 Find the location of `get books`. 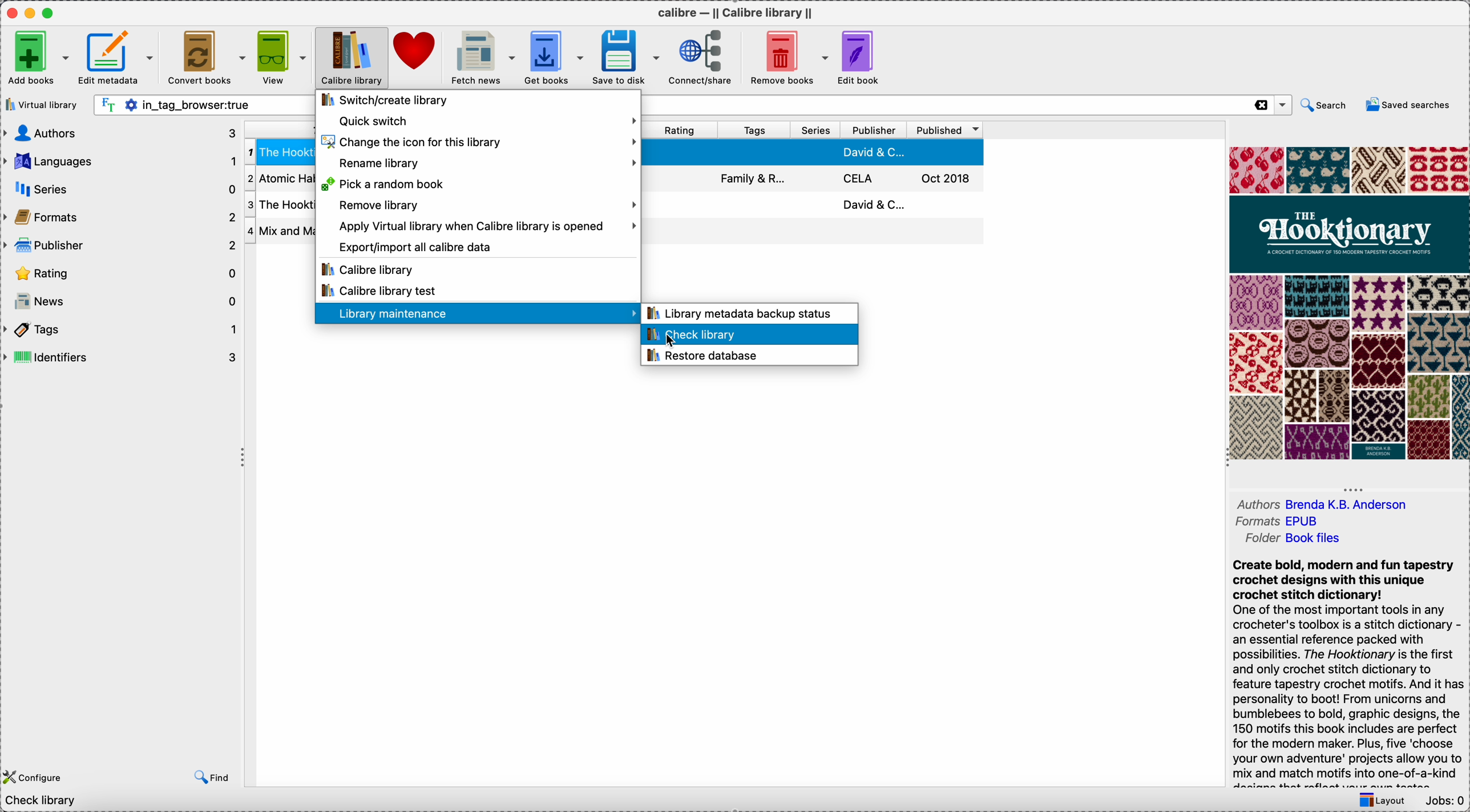

get books is located at coordinates (555, 56).